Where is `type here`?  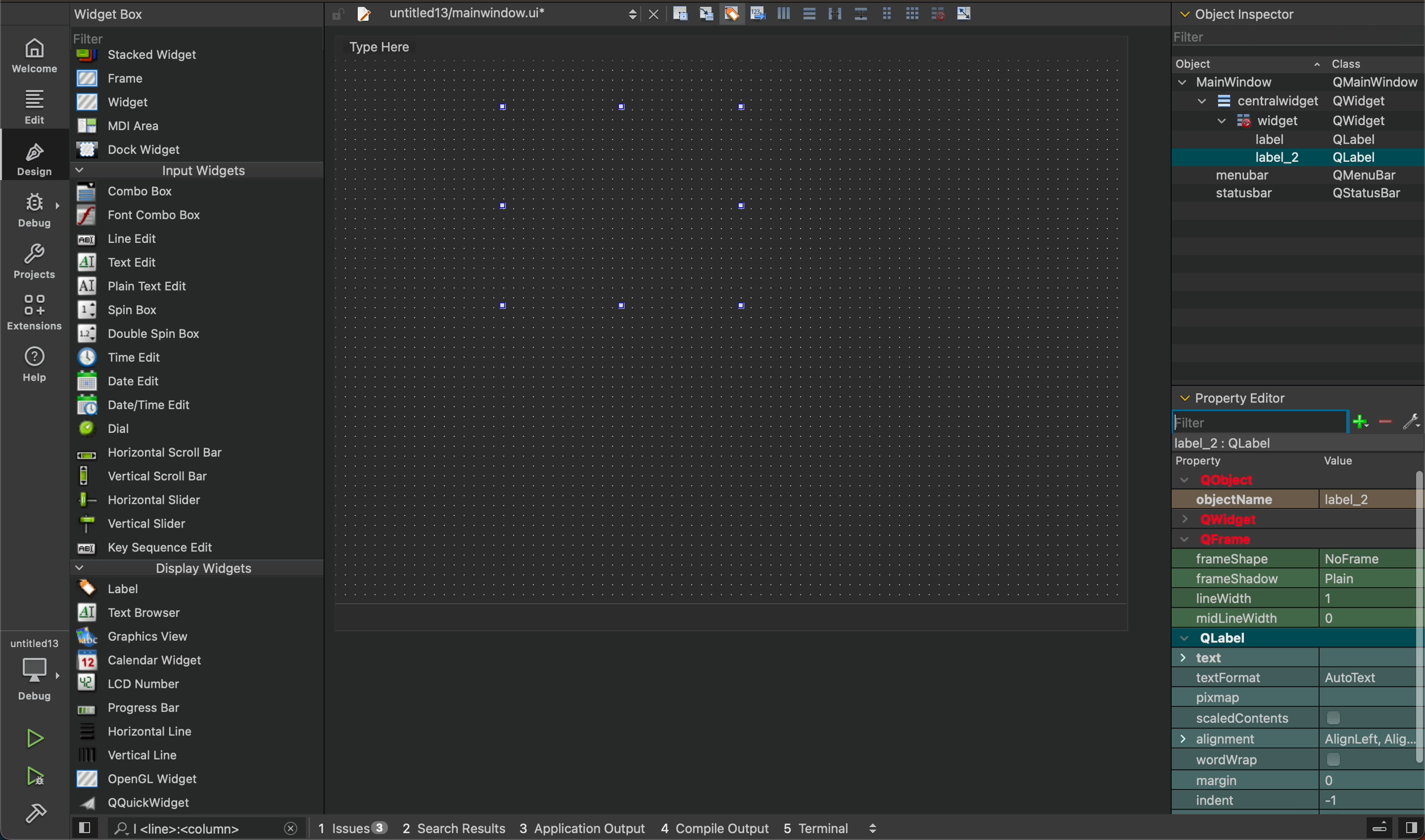 type here is located at coordinates (386, 48).